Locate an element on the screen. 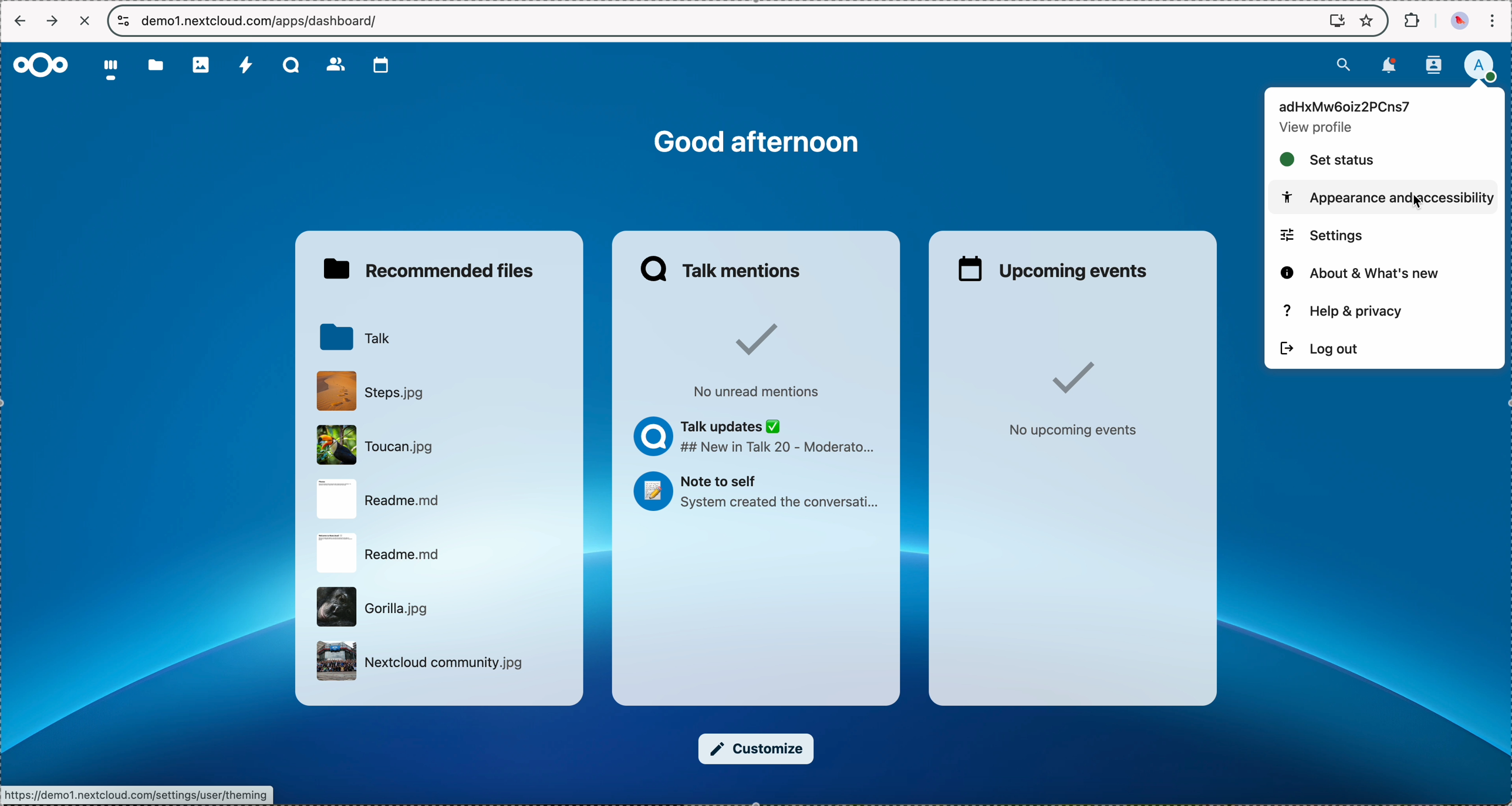  customize and control Google Chrome is located at coordinates (1496, 18).